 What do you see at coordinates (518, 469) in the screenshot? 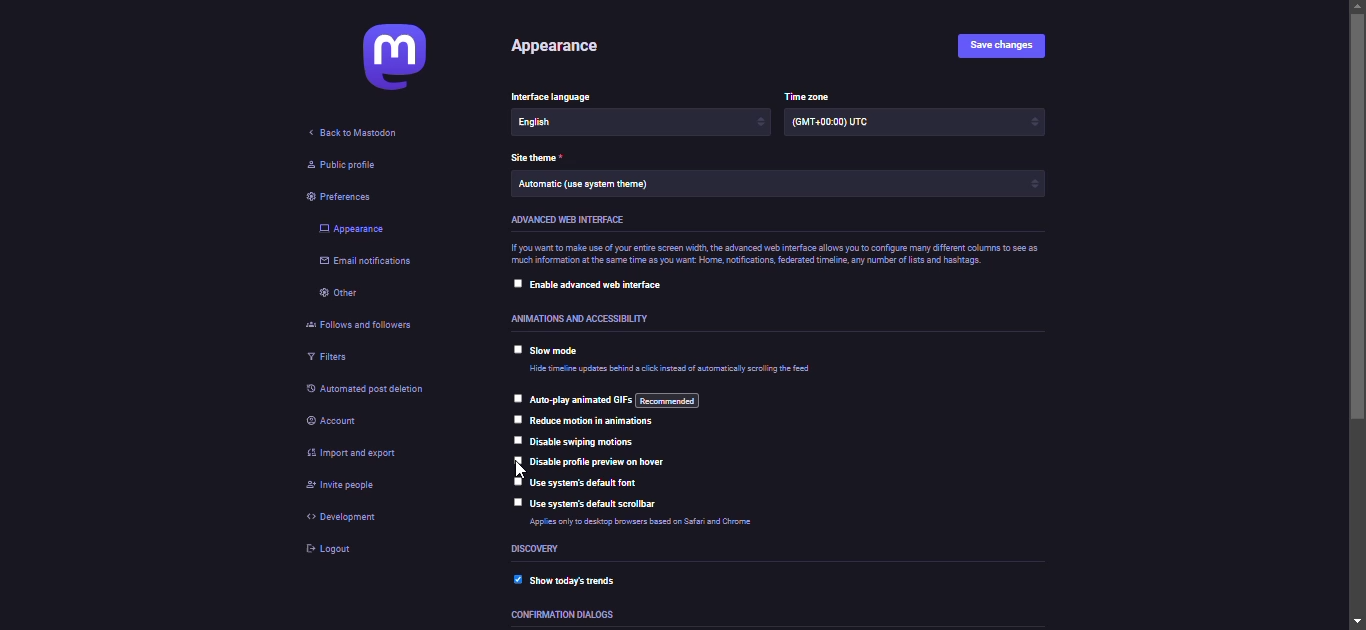
I see `cursor` at bounding box center [518, 469].